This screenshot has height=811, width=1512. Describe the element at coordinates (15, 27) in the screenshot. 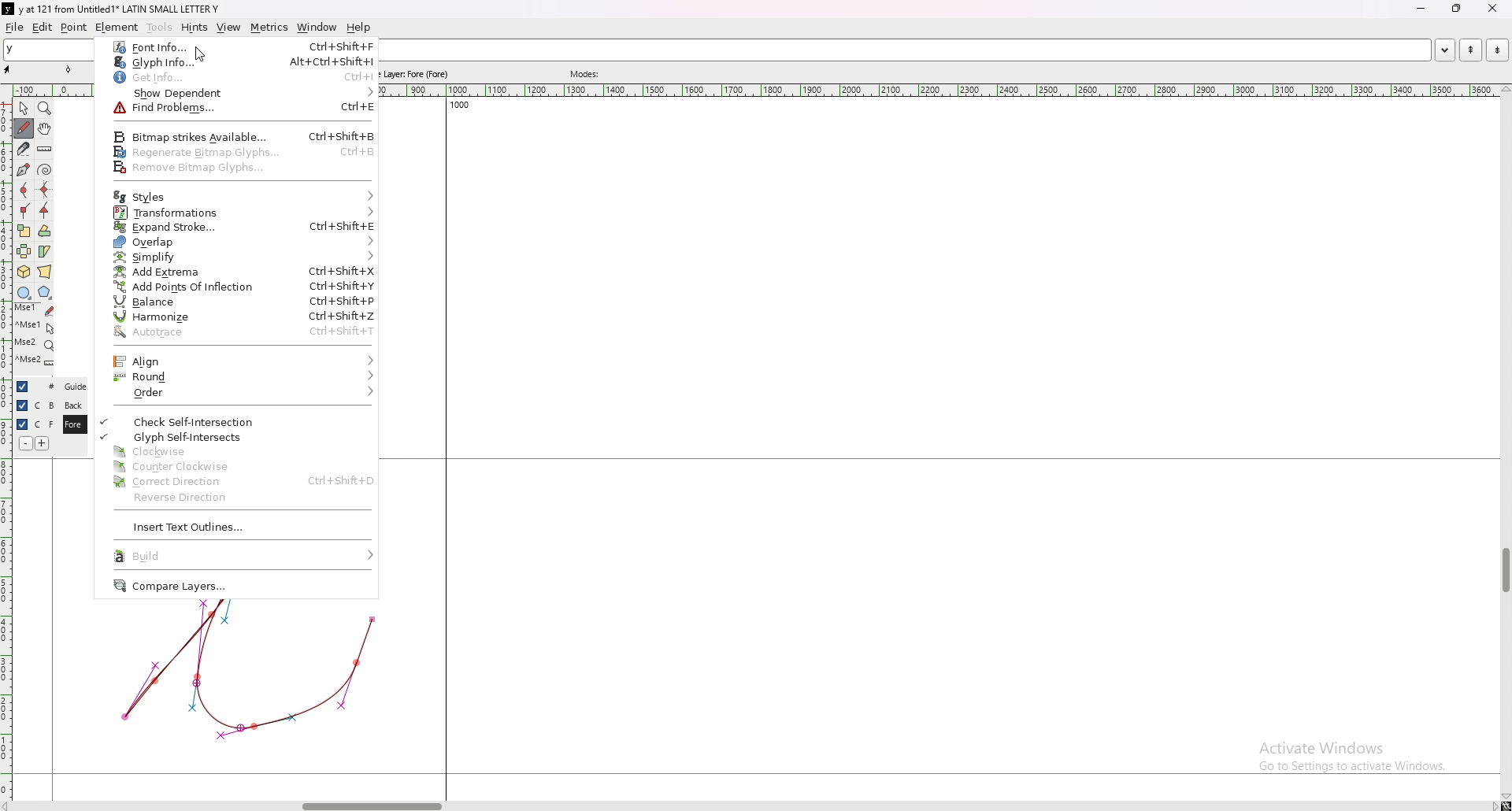

I see `file` at that location.